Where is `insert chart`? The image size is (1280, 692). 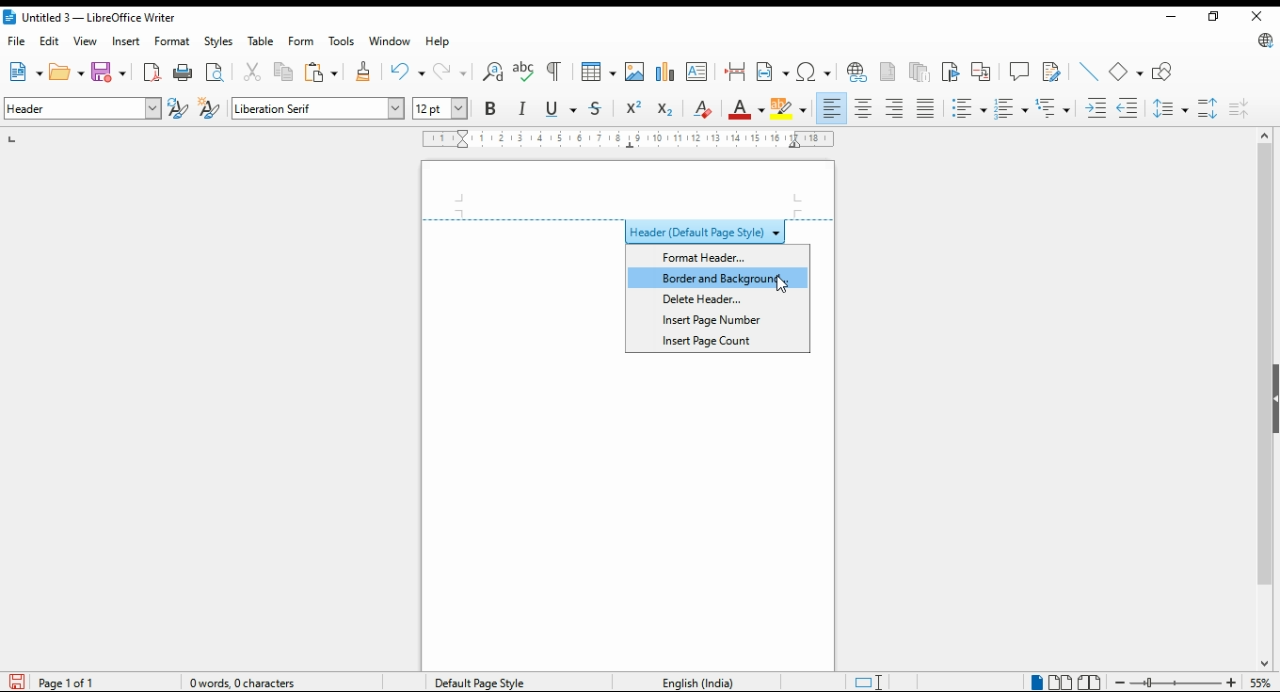
insert chart is located at coordinates (665, 72).